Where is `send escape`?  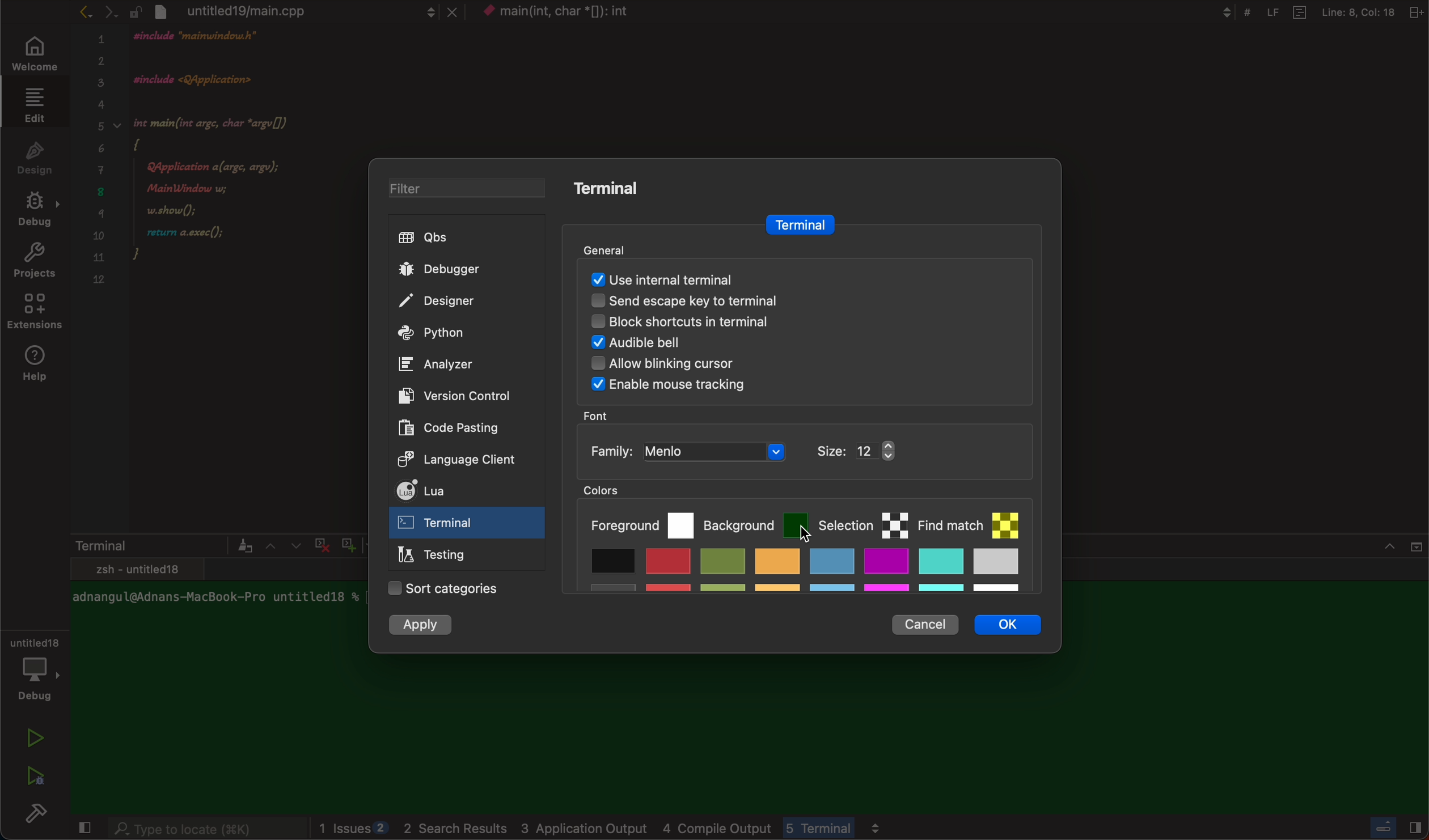 send escape is located at coordinates (790, 303).